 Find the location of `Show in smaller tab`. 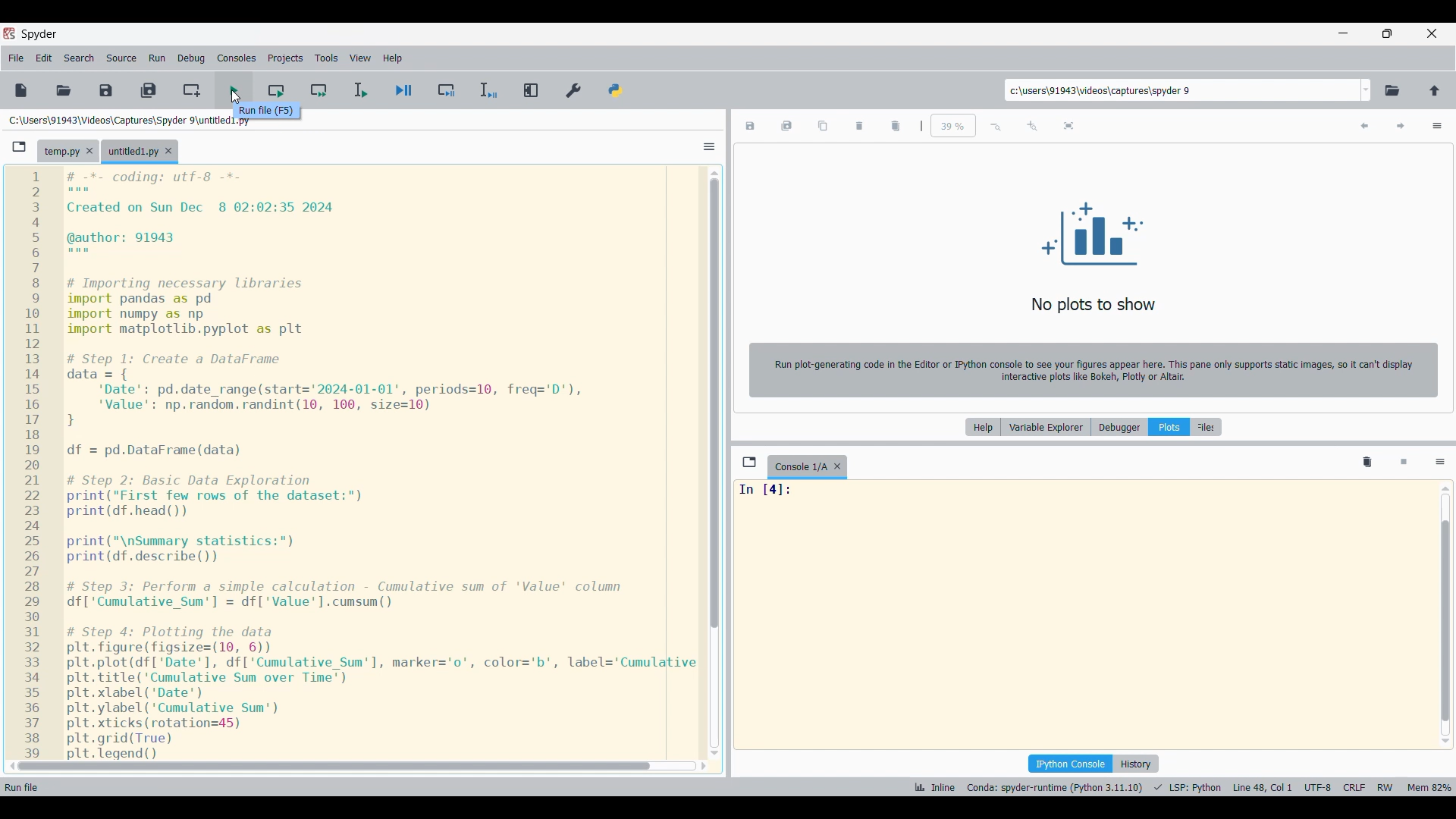

Show in smaller tab is located at coordinates (1388, 34).